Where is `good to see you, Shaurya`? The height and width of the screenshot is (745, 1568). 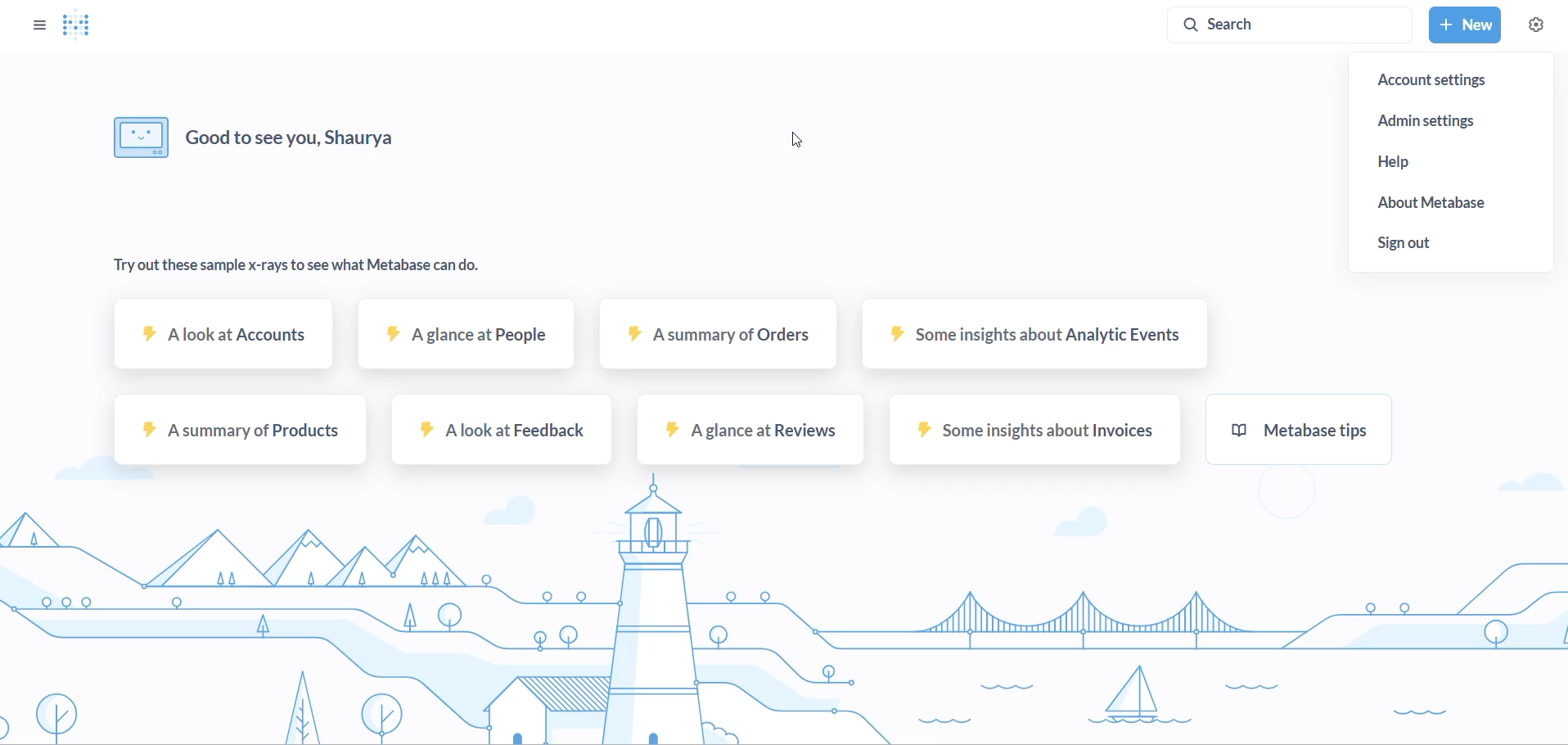
good to see you, Shaurya is located at coordinates (259, 136).